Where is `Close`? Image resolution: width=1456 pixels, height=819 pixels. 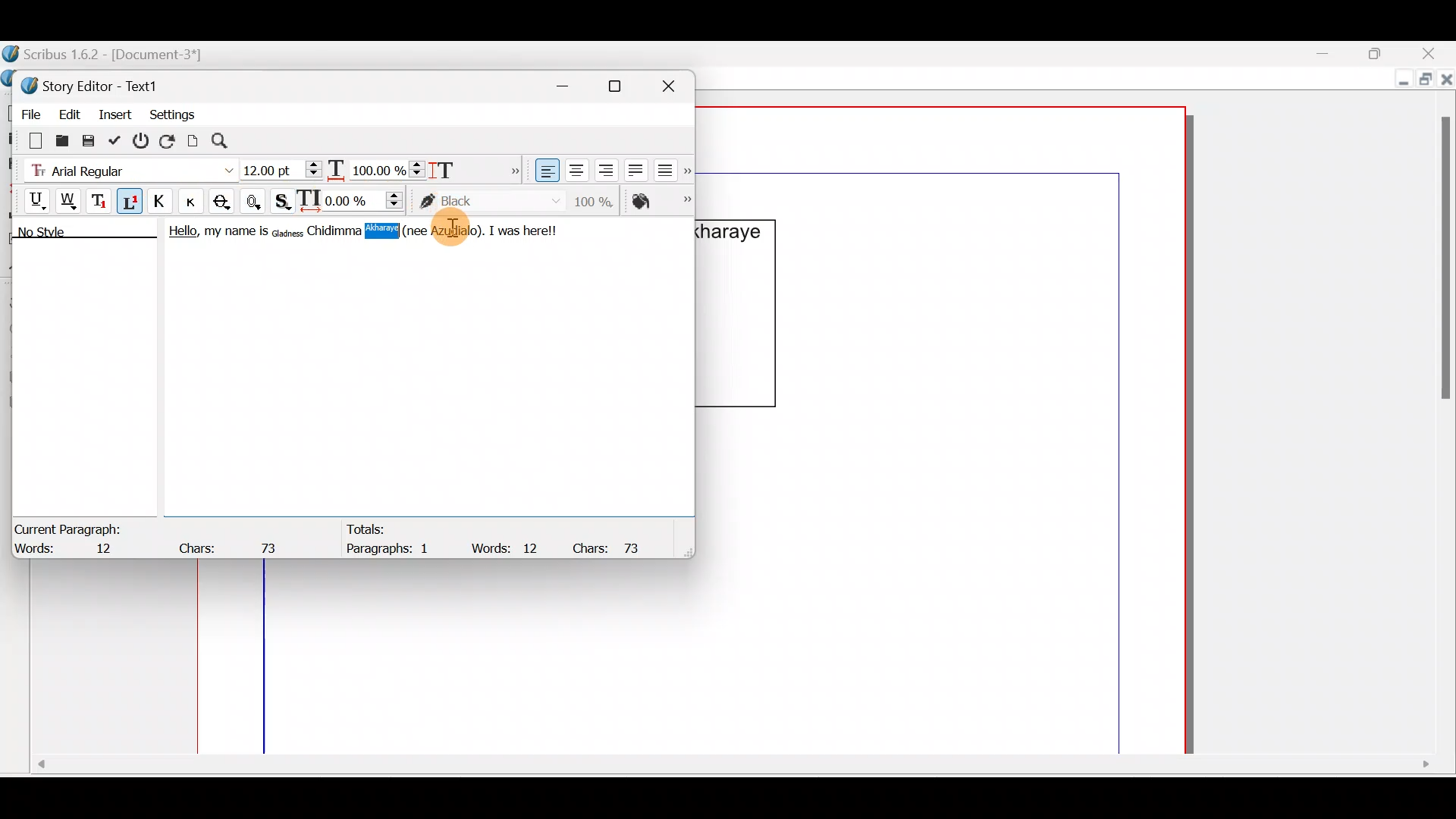 Close is located at coordinates (675, 83).